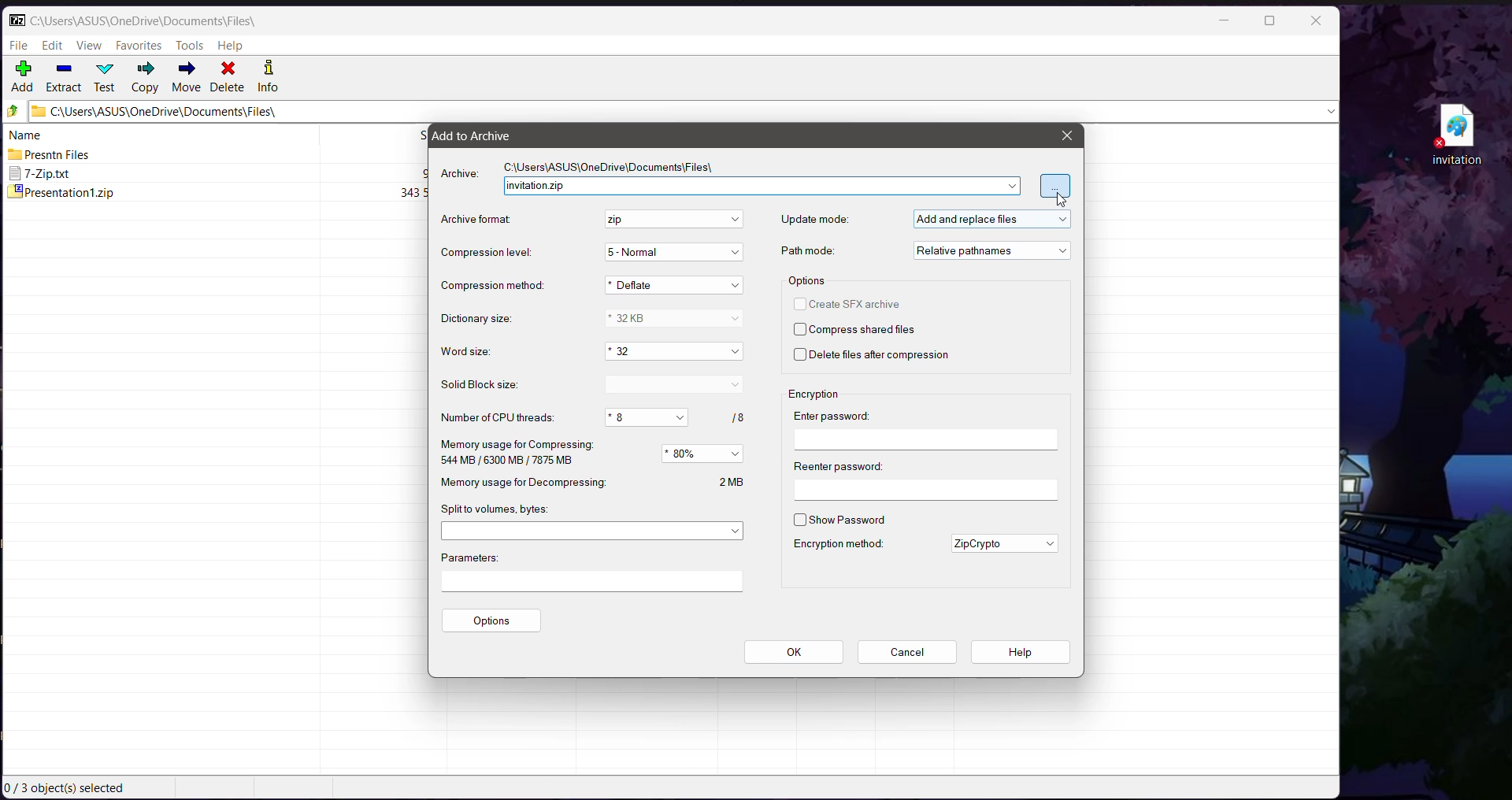  Describe the element at coordinates (672, 352) in the screenshot. I see `Set the Word size` at that location.